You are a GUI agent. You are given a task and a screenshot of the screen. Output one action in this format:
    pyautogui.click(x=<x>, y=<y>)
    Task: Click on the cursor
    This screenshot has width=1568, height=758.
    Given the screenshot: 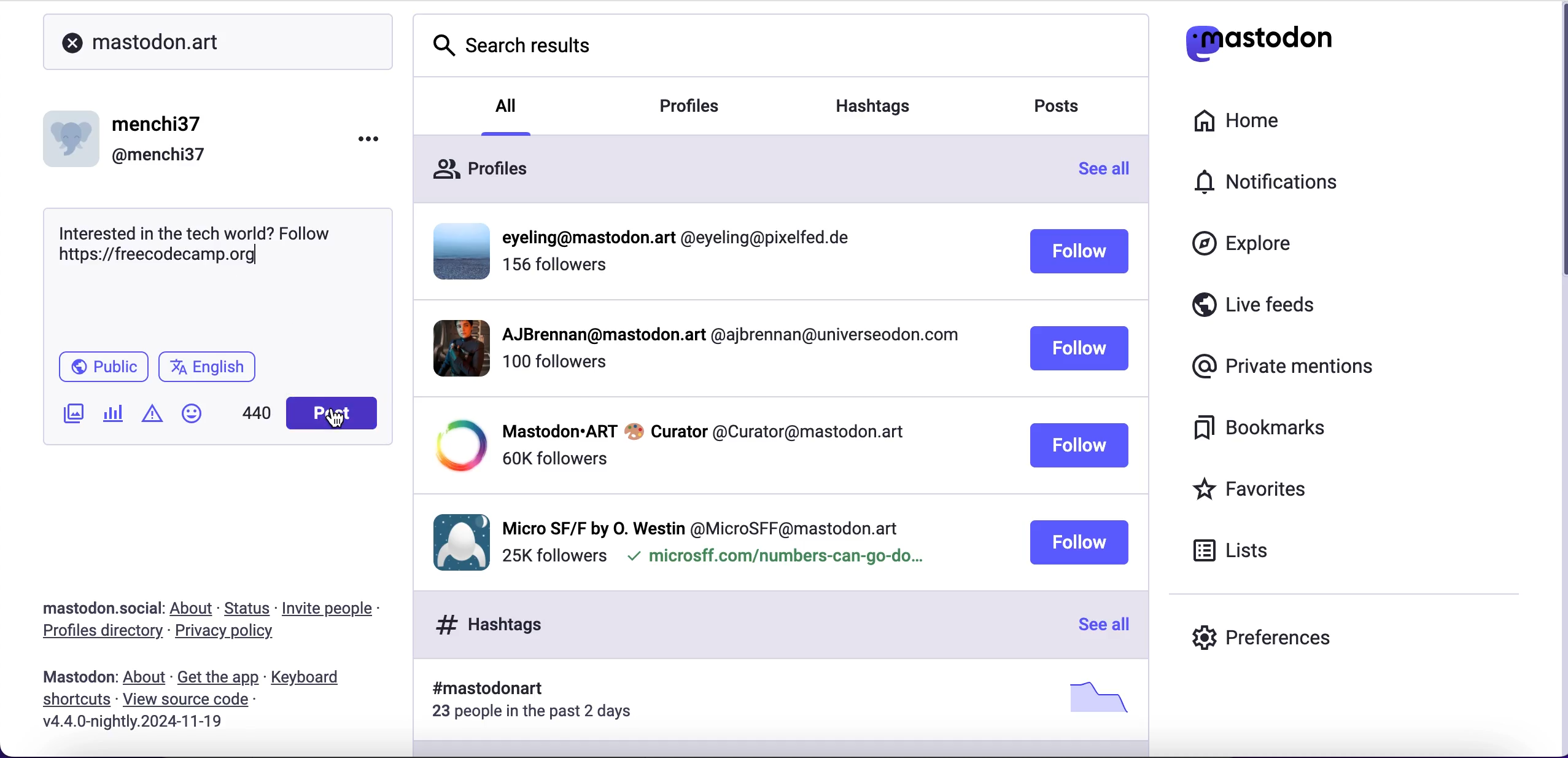 What is the action you would take?
    pyautogui.click(x=337, y=420)
    